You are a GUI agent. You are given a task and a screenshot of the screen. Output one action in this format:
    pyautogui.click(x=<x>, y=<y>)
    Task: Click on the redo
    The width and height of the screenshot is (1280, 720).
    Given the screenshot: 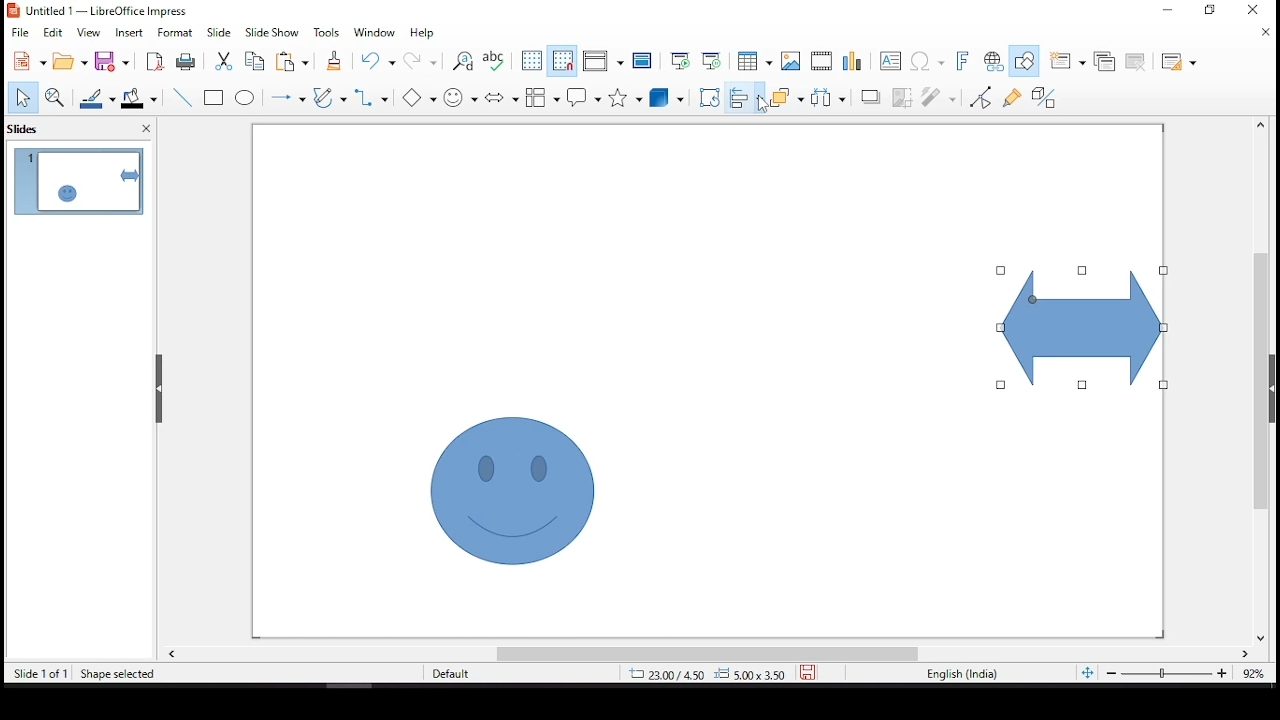 What is the action you would take?
    pyautogui.click(x=422, y=65)
    